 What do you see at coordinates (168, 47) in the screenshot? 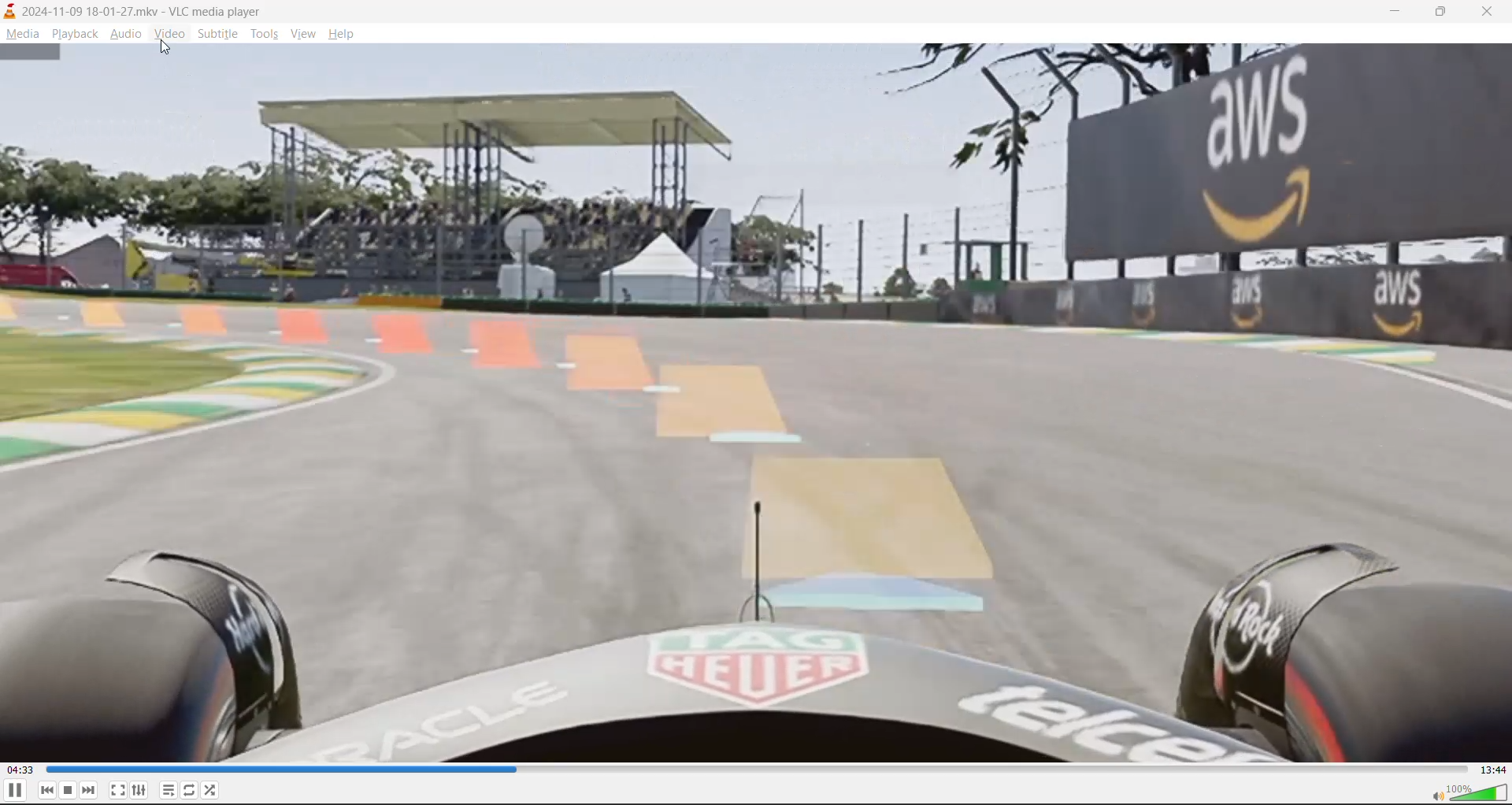
I see `cursor` at bounding box center [168, 47].